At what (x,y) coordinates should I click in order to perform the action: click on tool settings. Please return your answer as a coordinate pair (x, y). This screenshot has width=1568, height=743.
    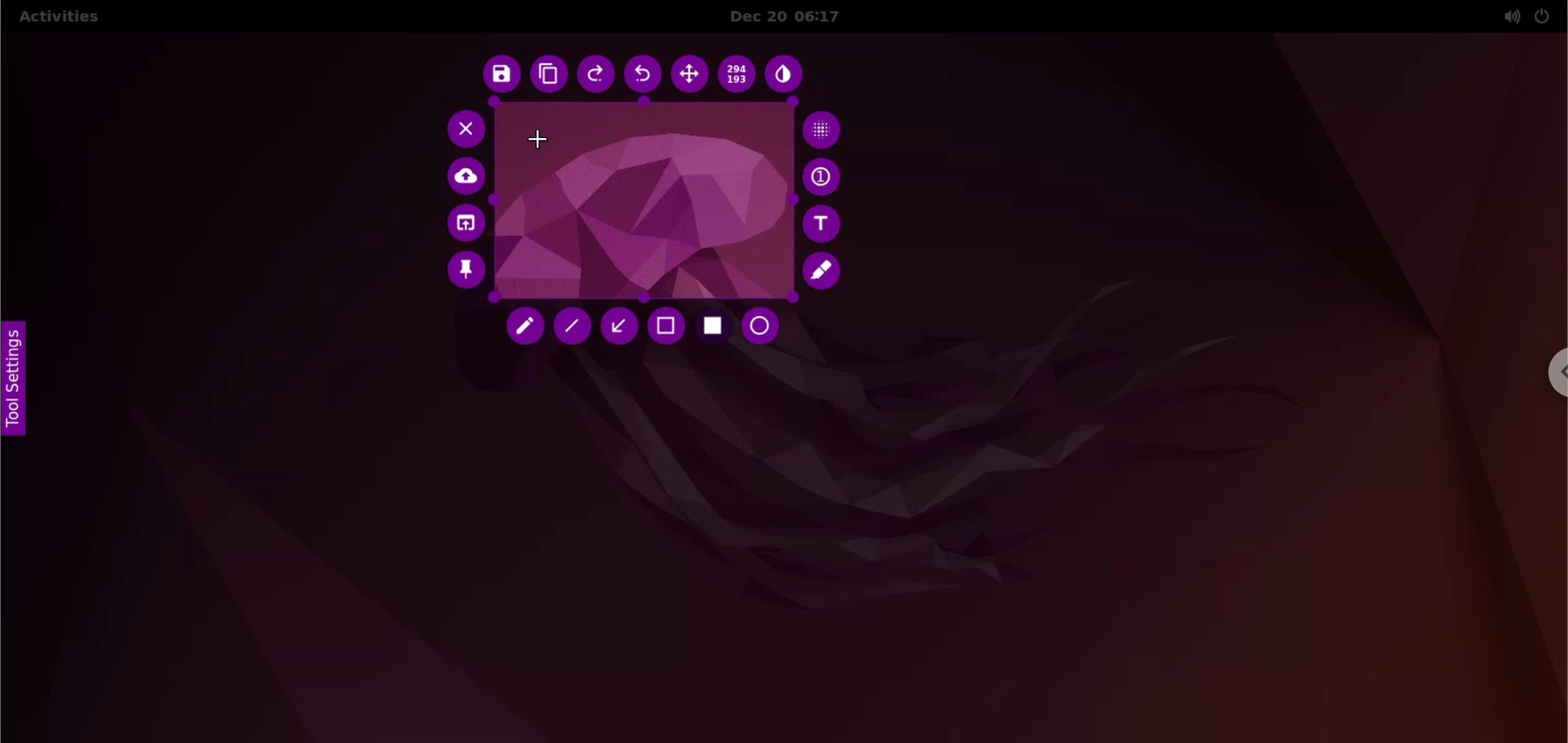
    Looking at the image, I should click on (20, 380).